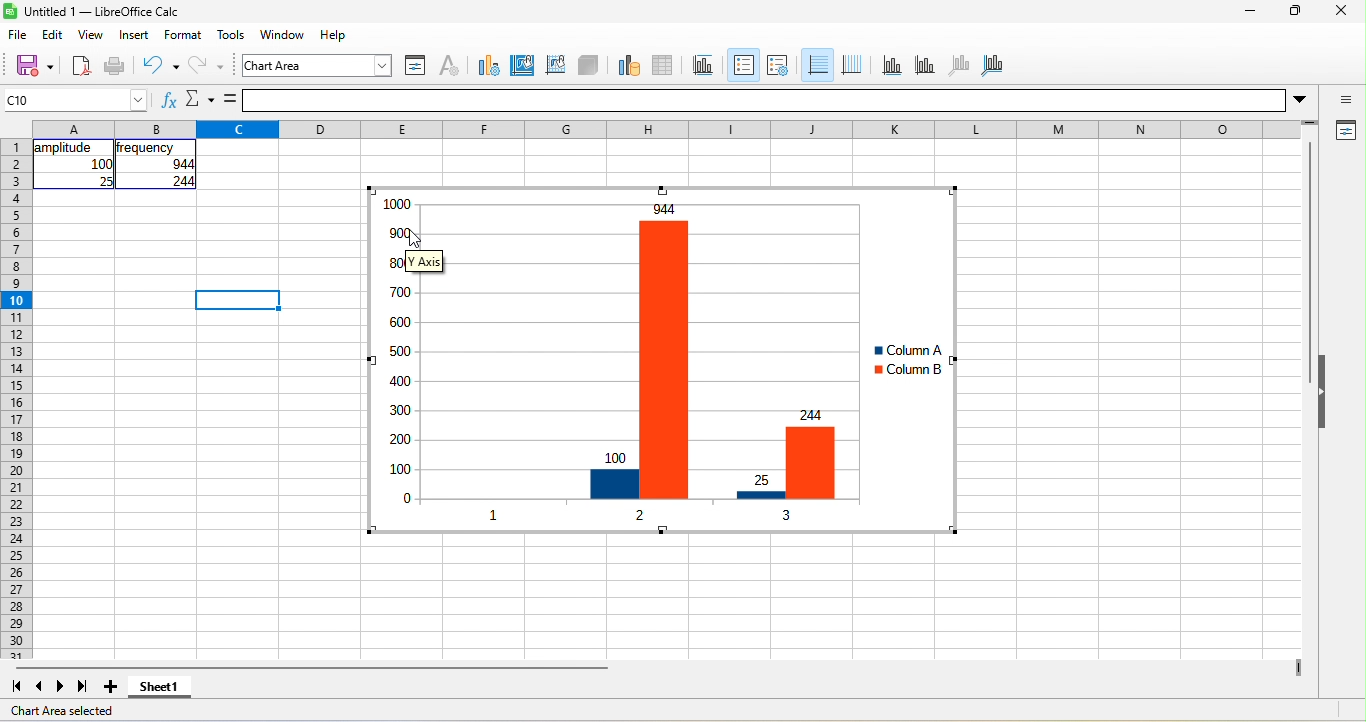 The image size is (1366, 722). What do you see at coordinates (1325, 393) in the screenshot?
I see `hide ` at bounding box center [1325, 393].